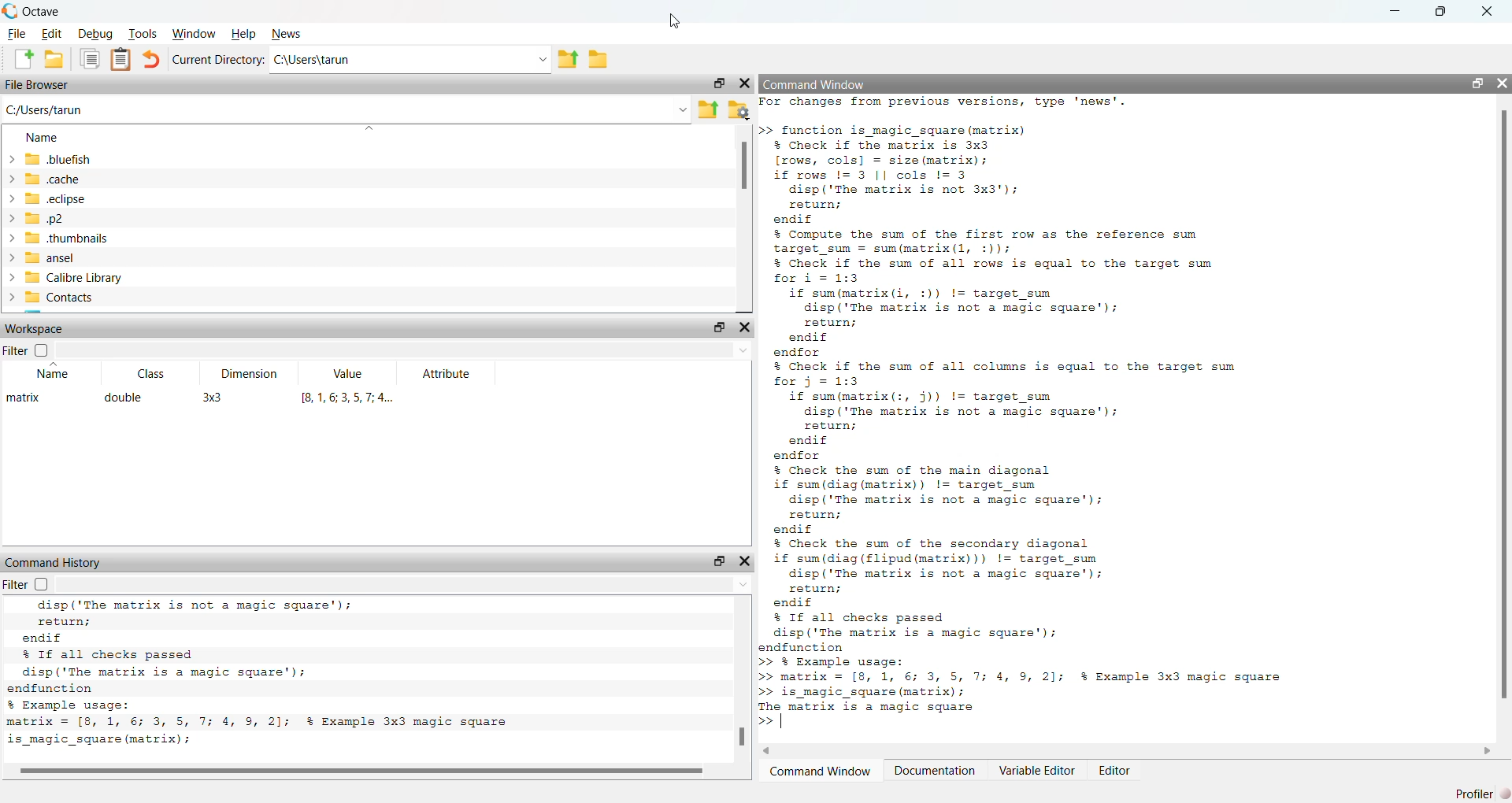  Describe the element at coordinates (568, 61) in the screenshot. I see `Previous folder` at that location.